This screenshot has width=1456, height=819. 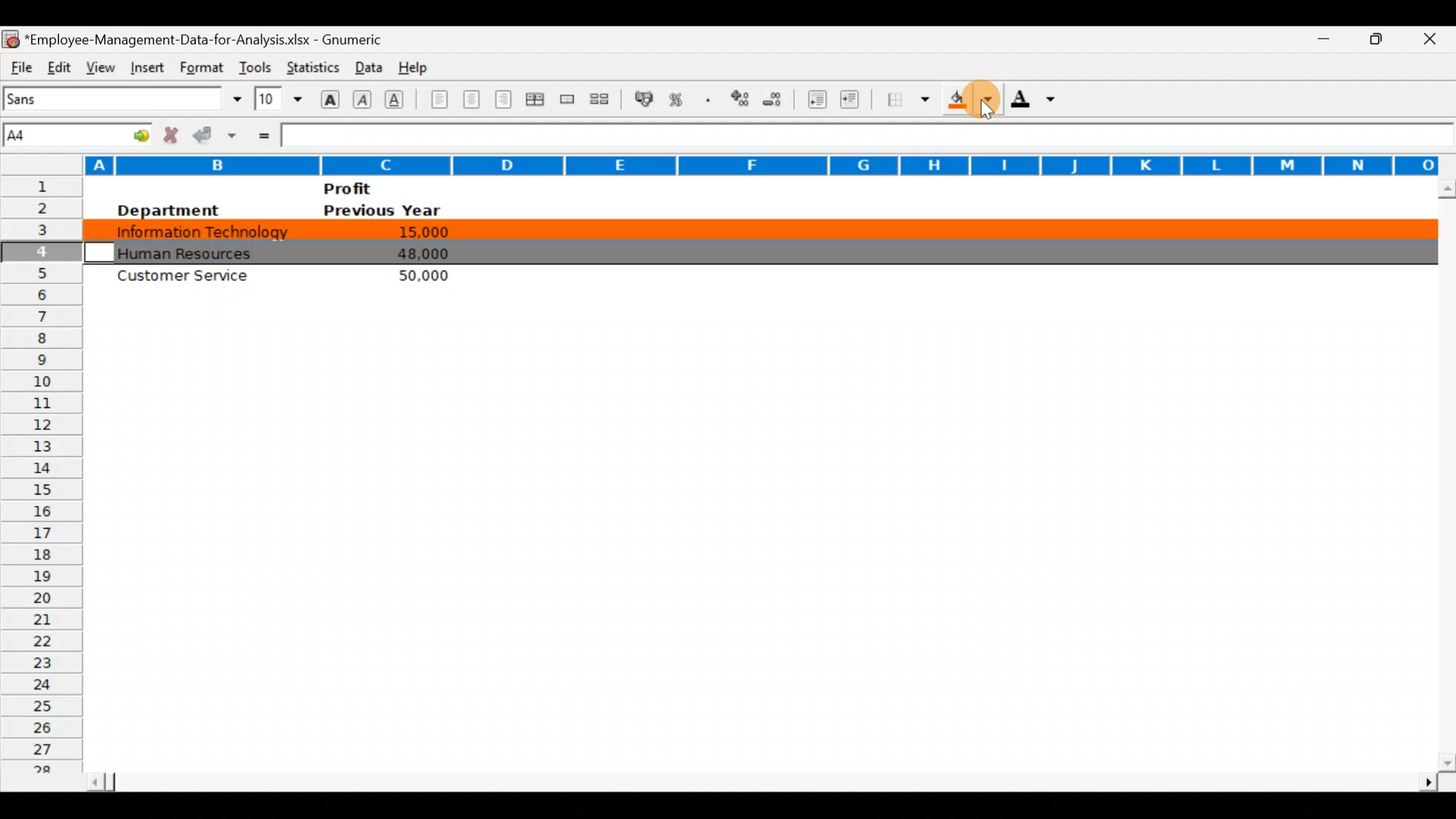 What do you see at coordinates (852, 101) in the screenshot?
I see `Increase indent, align contents to the right` at bounding box center [852, 101].